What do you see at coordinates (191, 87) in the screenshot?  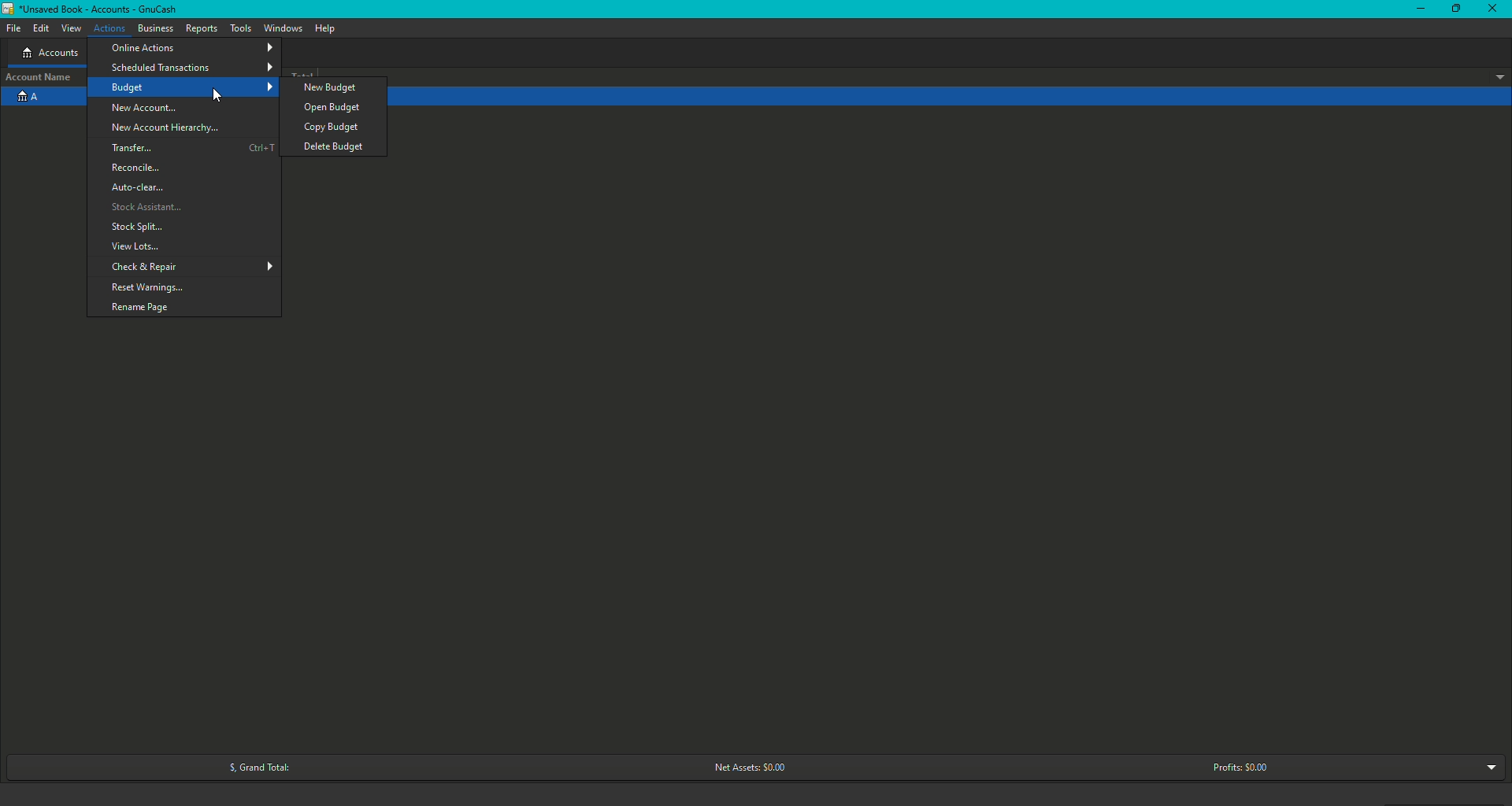 I see `Budget` at bounding box center [191, 87].